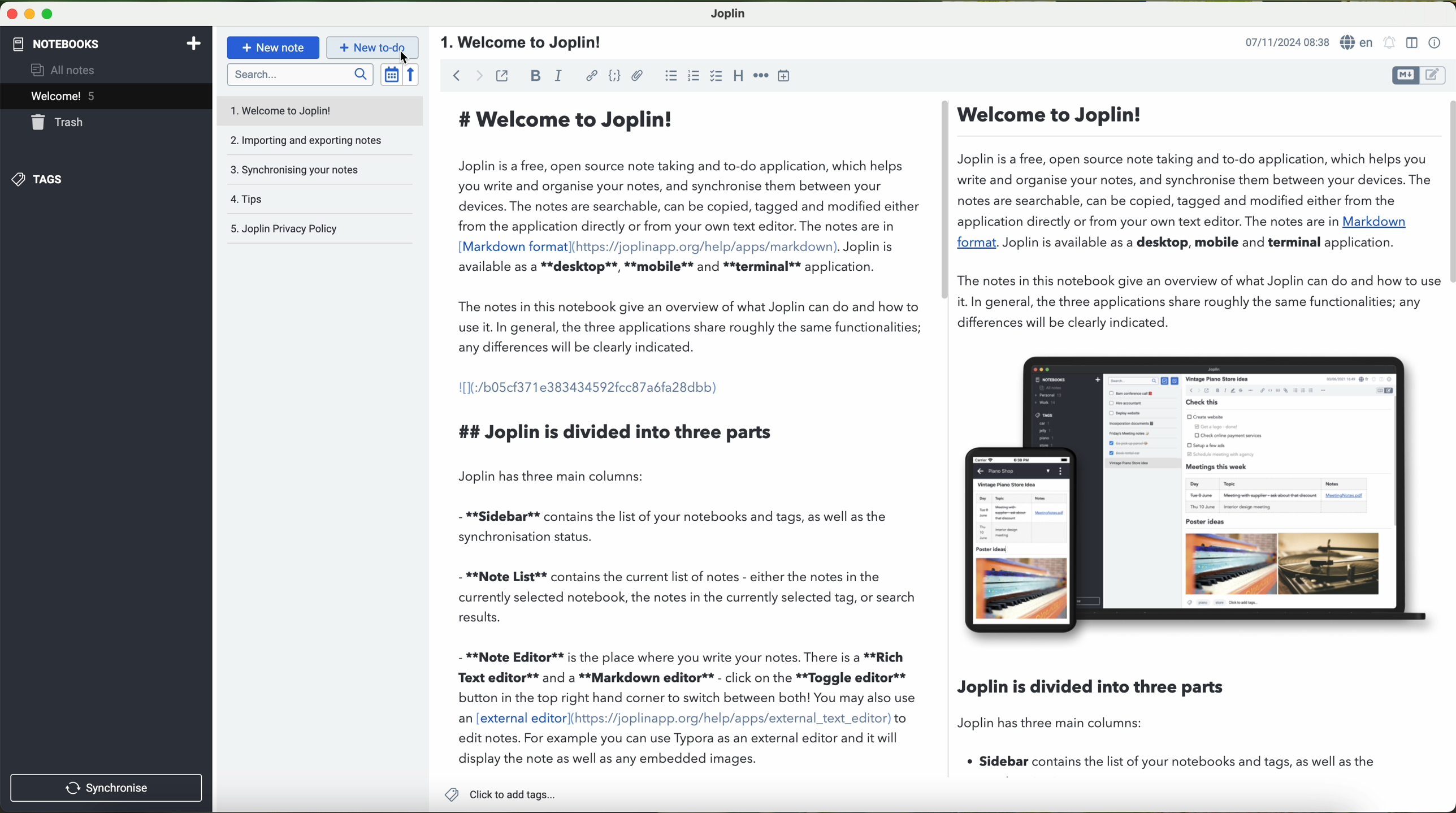 This screenshot has height=813, width=1456. Describe the element at coordinates (739, 75) in the screenshot. I see `heading` at that location.